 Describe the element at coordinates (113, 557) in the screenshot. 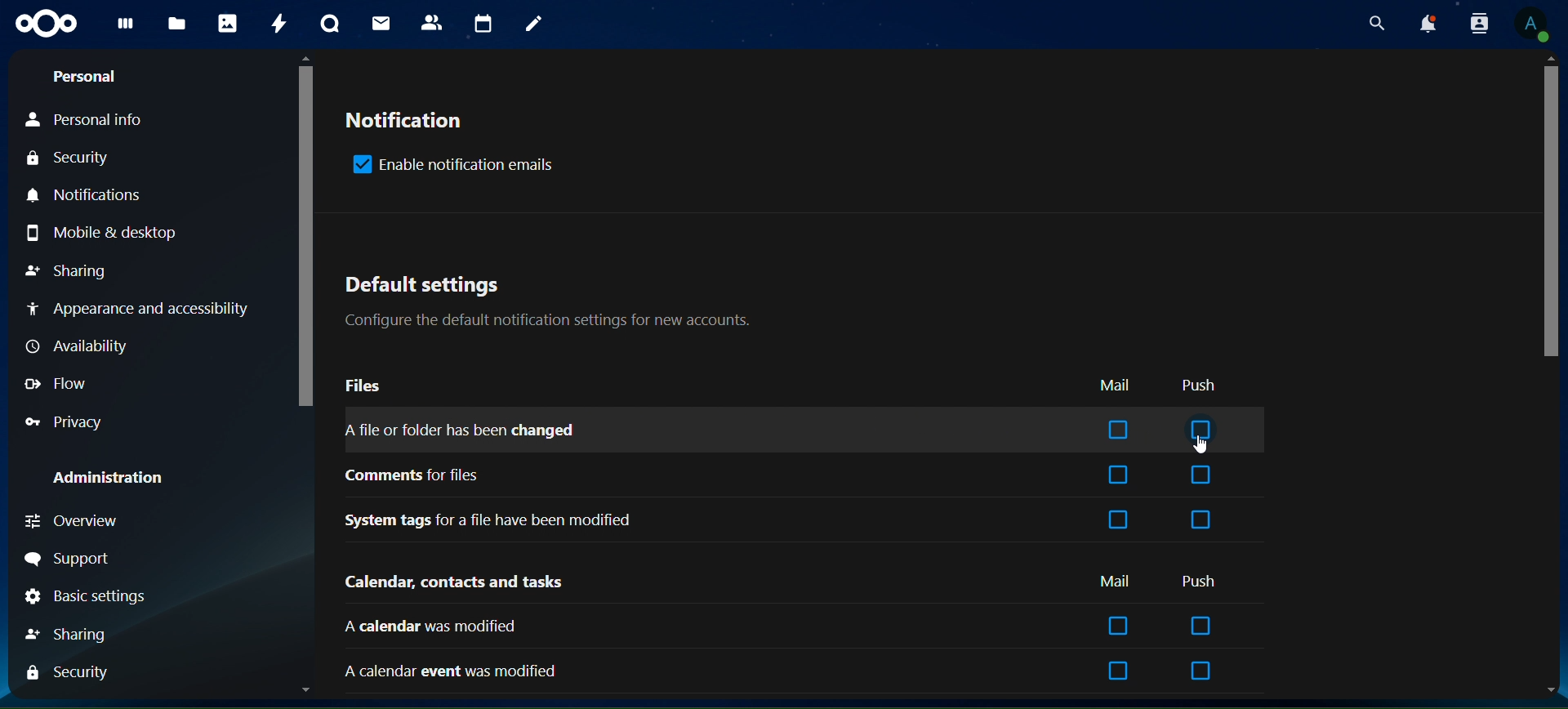

I see `support` at that location.